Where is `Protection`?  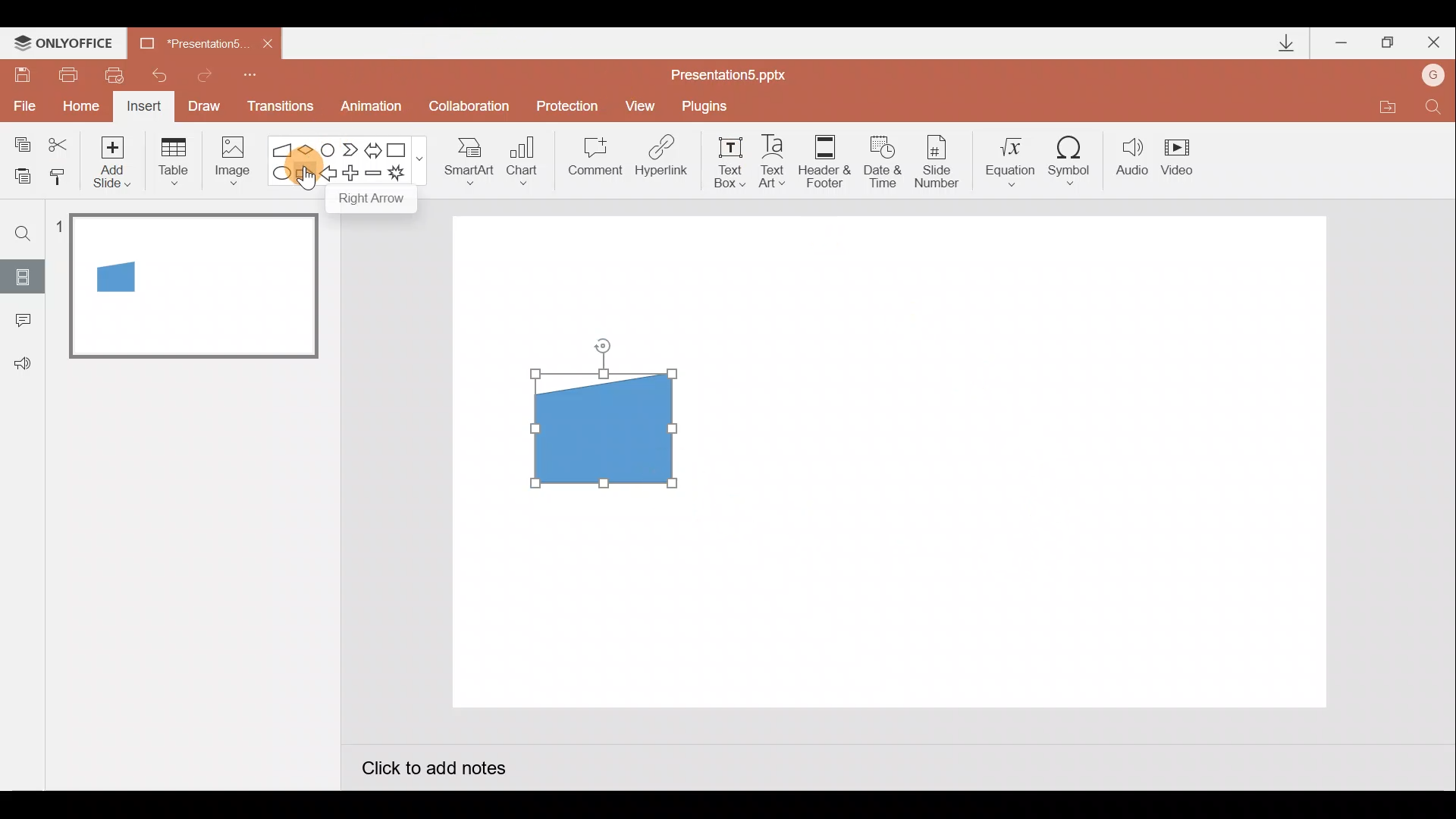
Protection is located at coordinates (572, 105).